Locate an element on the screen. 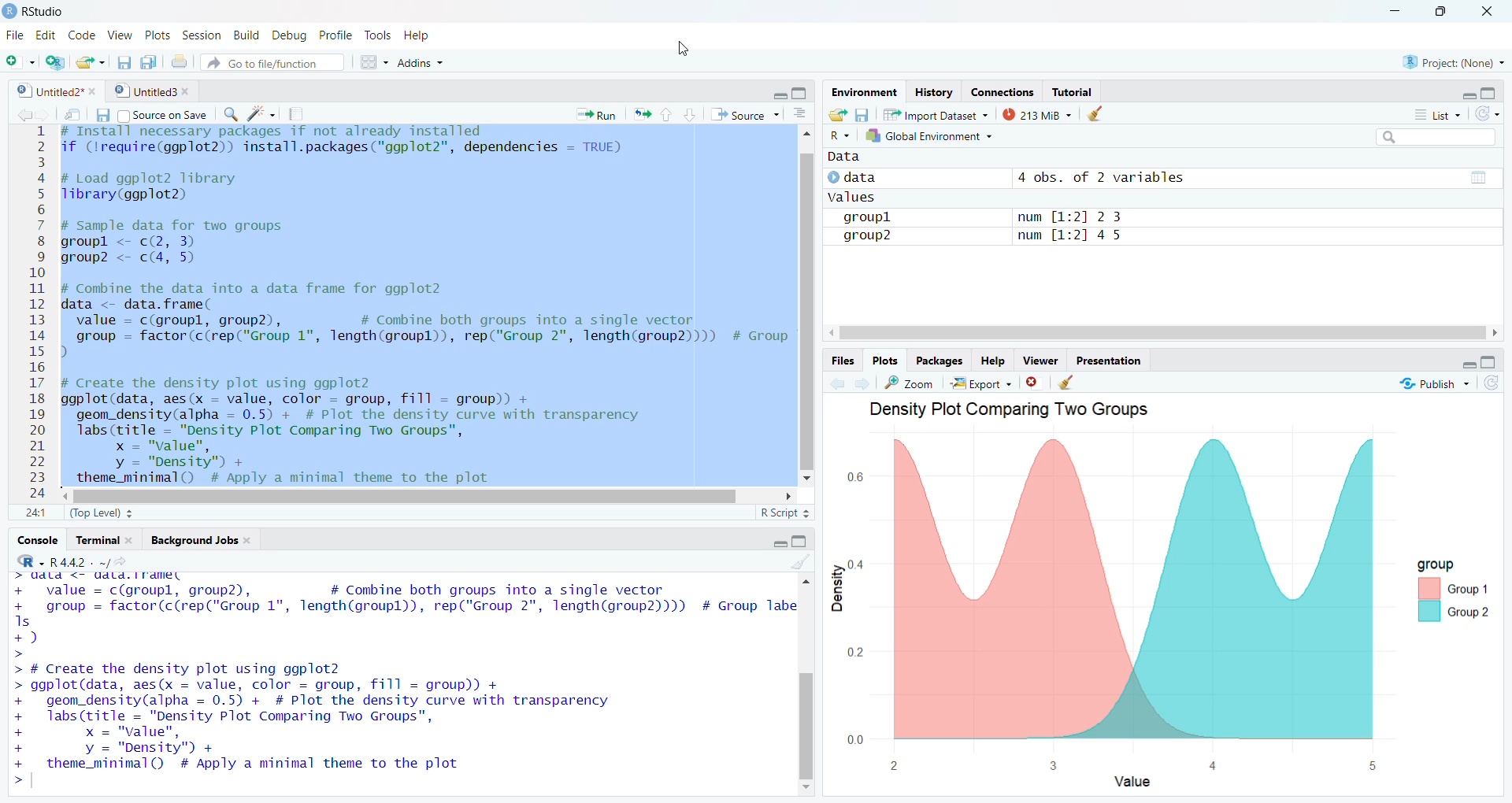  RS audio is located at coordinates (37, 12).